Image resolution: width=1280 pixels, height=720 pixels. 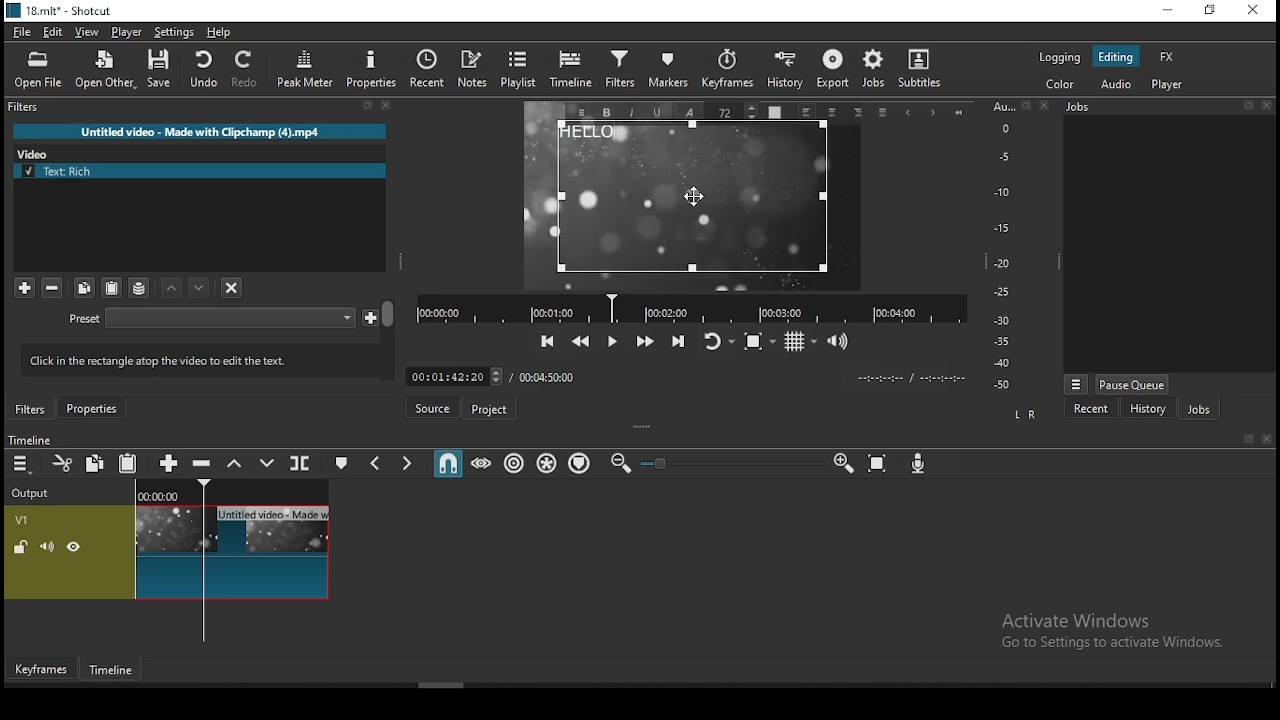 What do you see at coordinates (721, 341) in the screenshot?
I see `toggle player looping` at bounding box center [721, 341].